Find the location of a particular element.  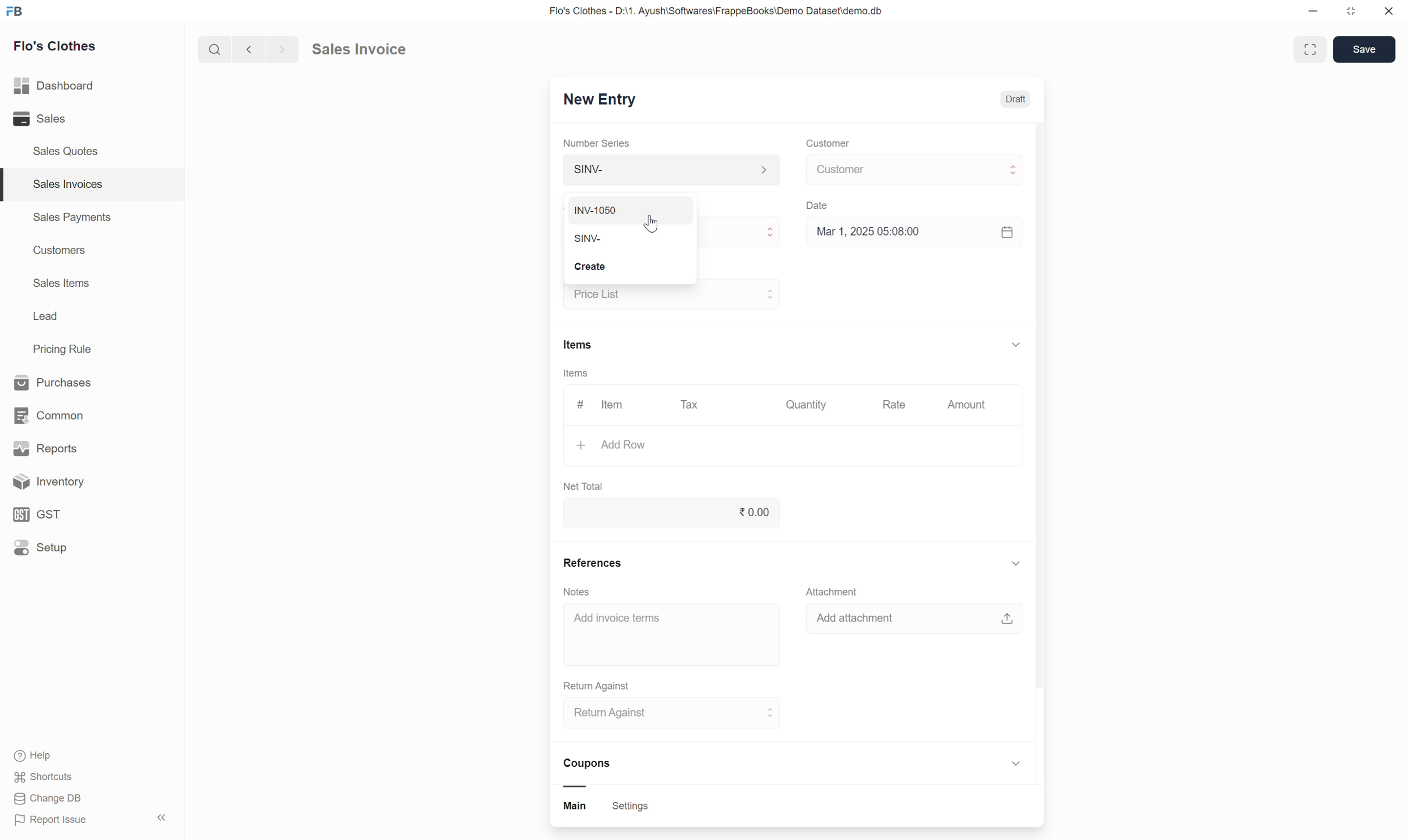

show or hide coupon is located at coordinates (1016, 766).